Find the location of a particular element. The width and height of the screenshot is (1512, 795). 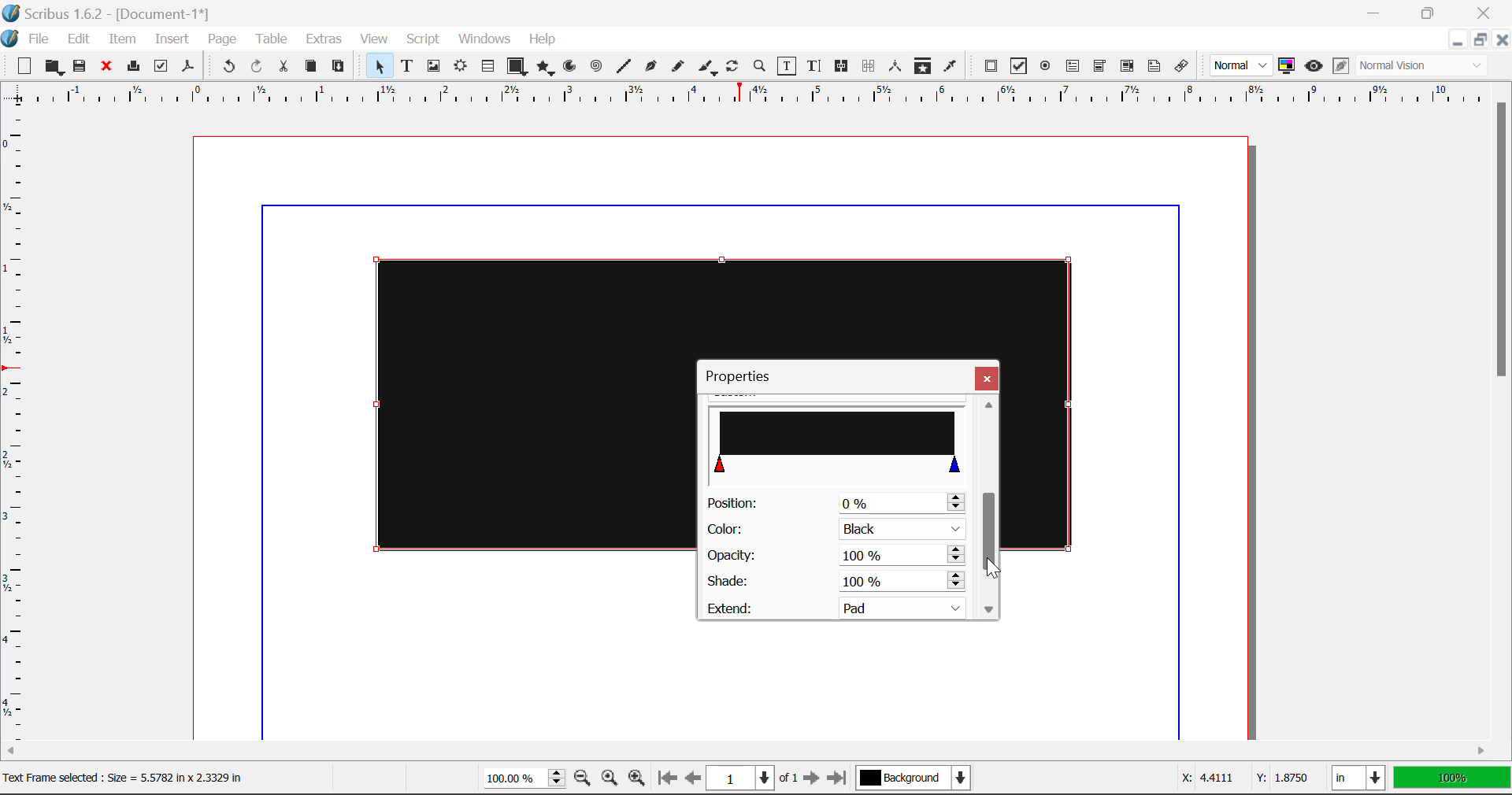

Arcs is located at coordinates (572, 70).